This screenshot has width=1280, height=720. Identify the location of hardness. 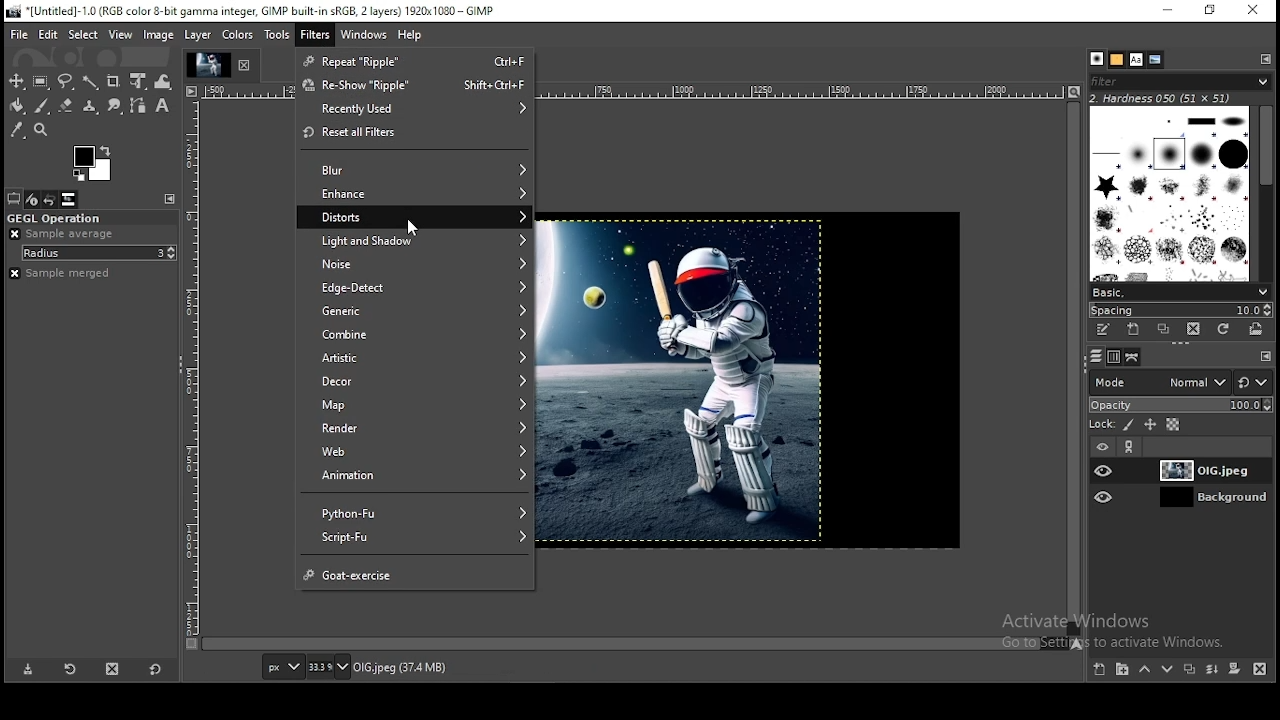
(1175, 98).